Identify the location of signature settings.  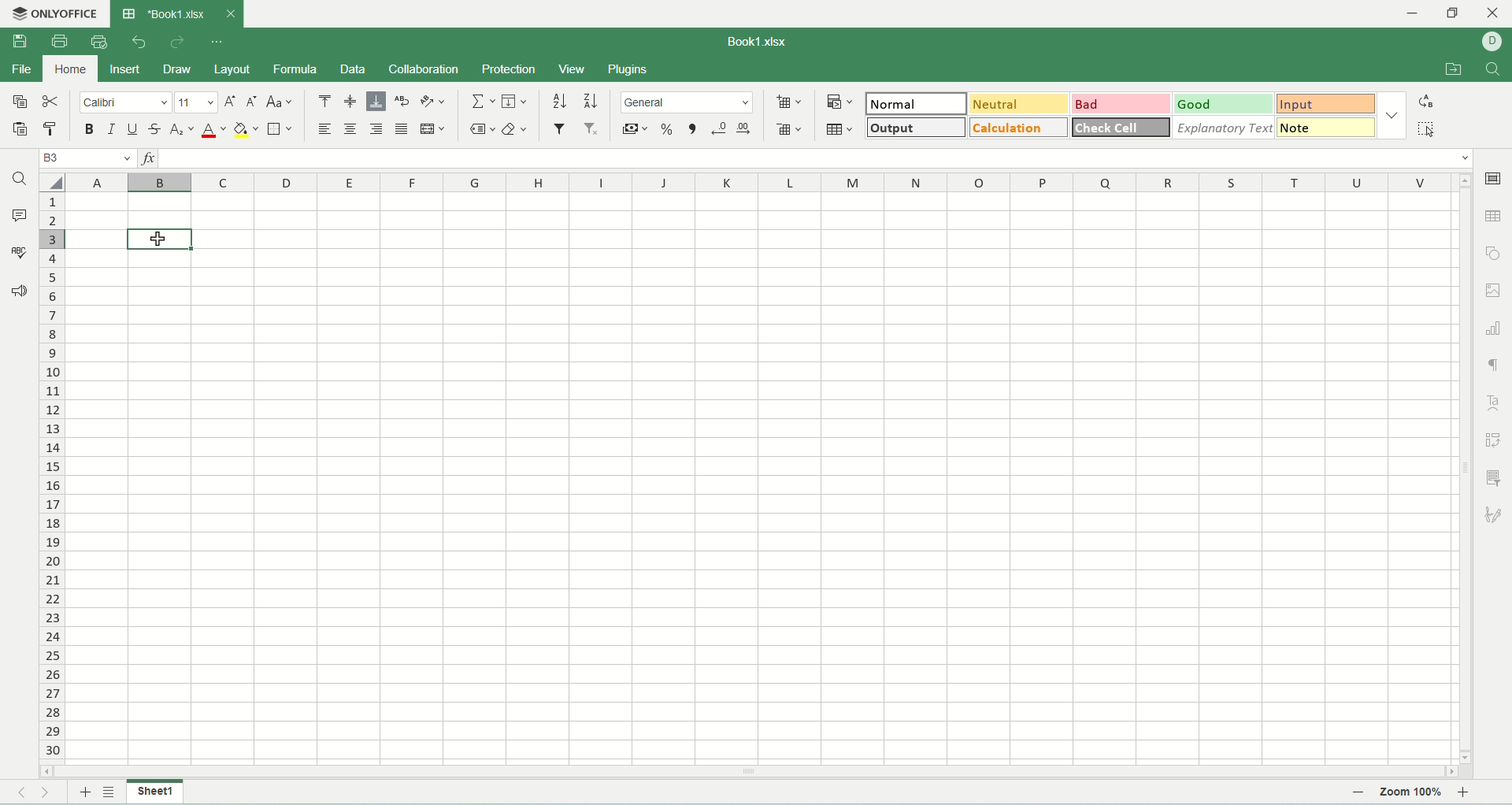
(1495, 514).